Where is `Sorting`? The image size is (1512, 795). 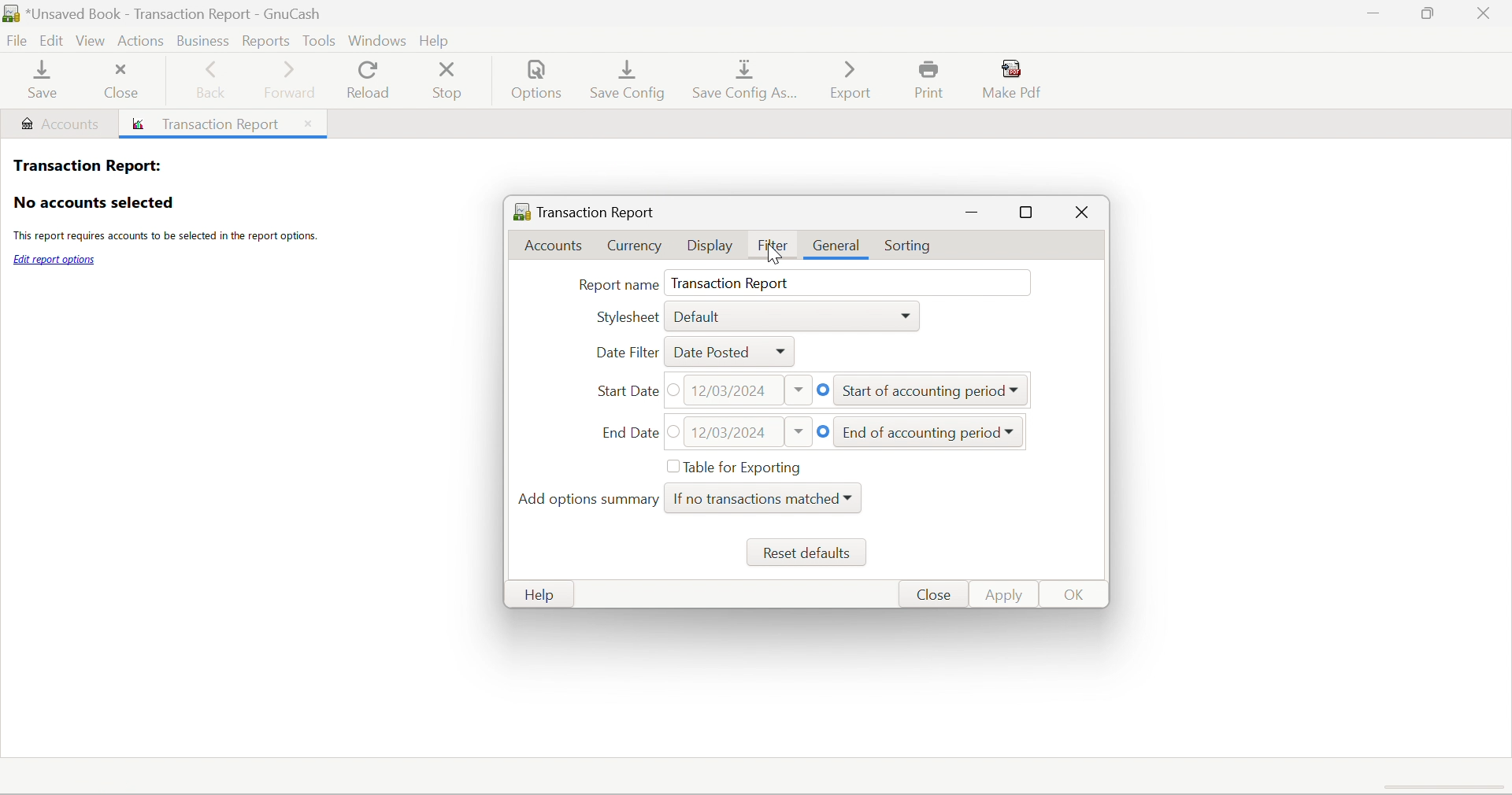
Sorting is located at coordinates (911, 247).